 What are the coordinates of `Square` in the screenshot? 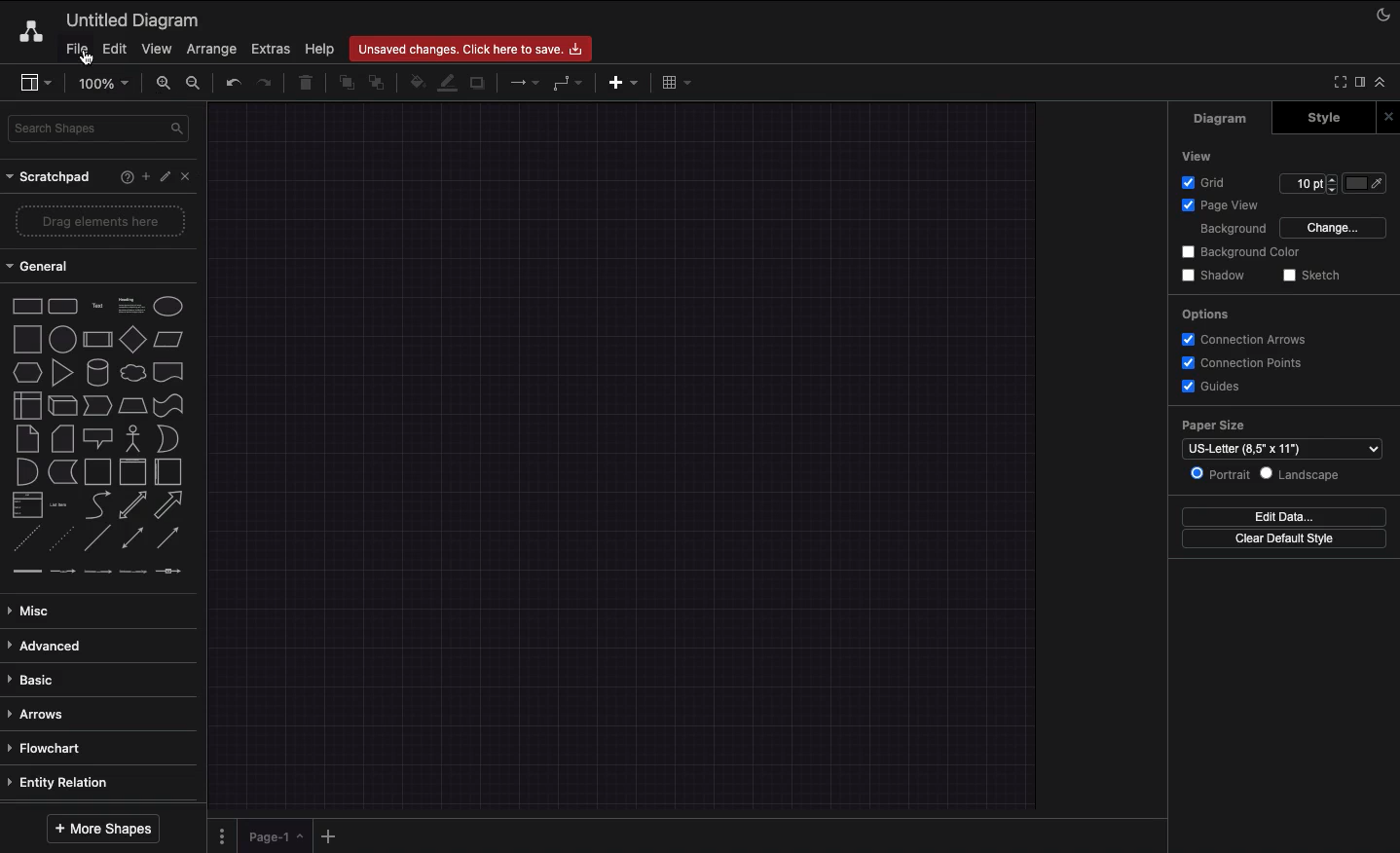 It's located at (25, 339).